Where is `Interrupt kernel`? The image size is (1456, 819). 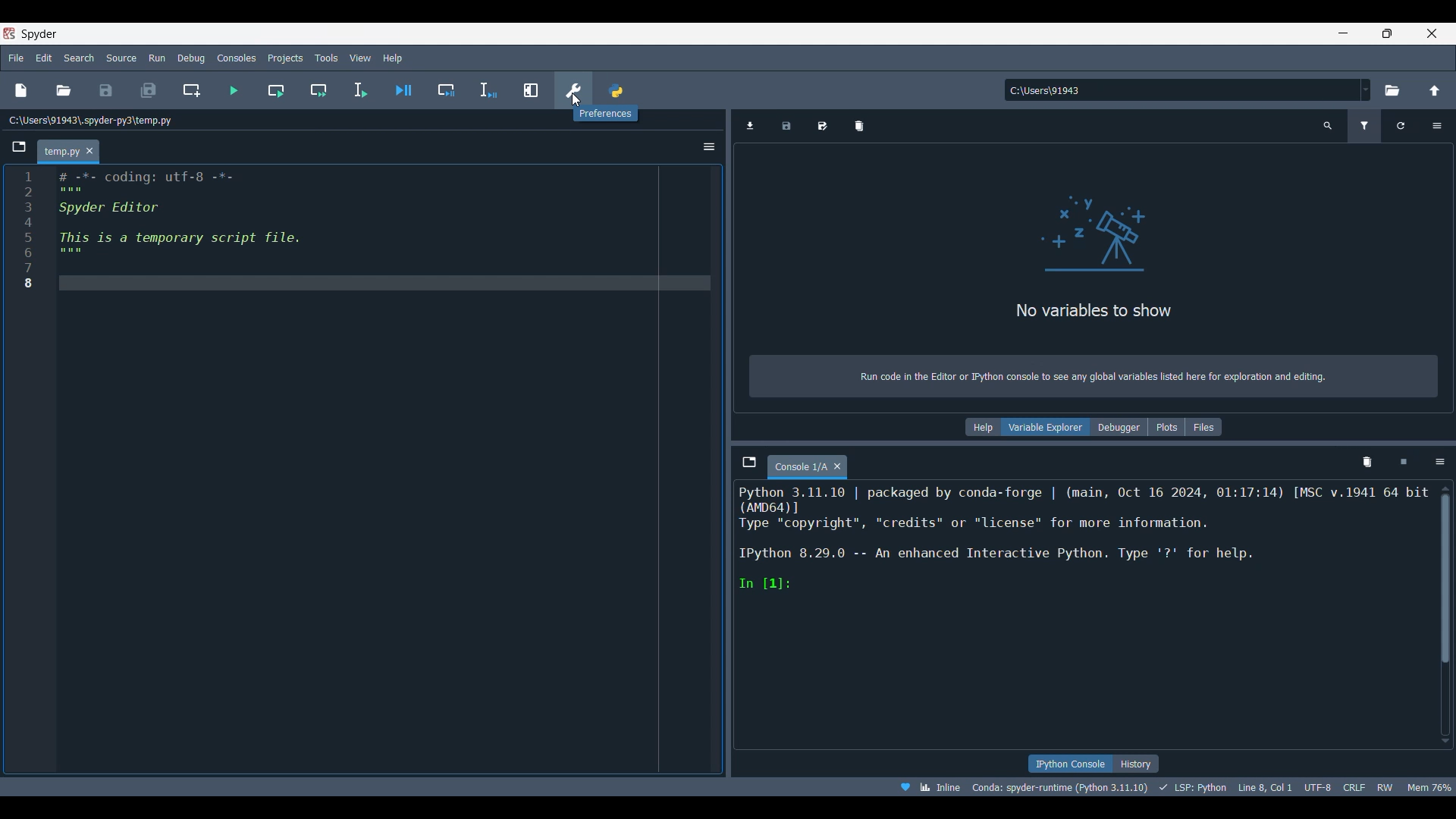
Interrupt kernel is located at coordinates (1404, 463).